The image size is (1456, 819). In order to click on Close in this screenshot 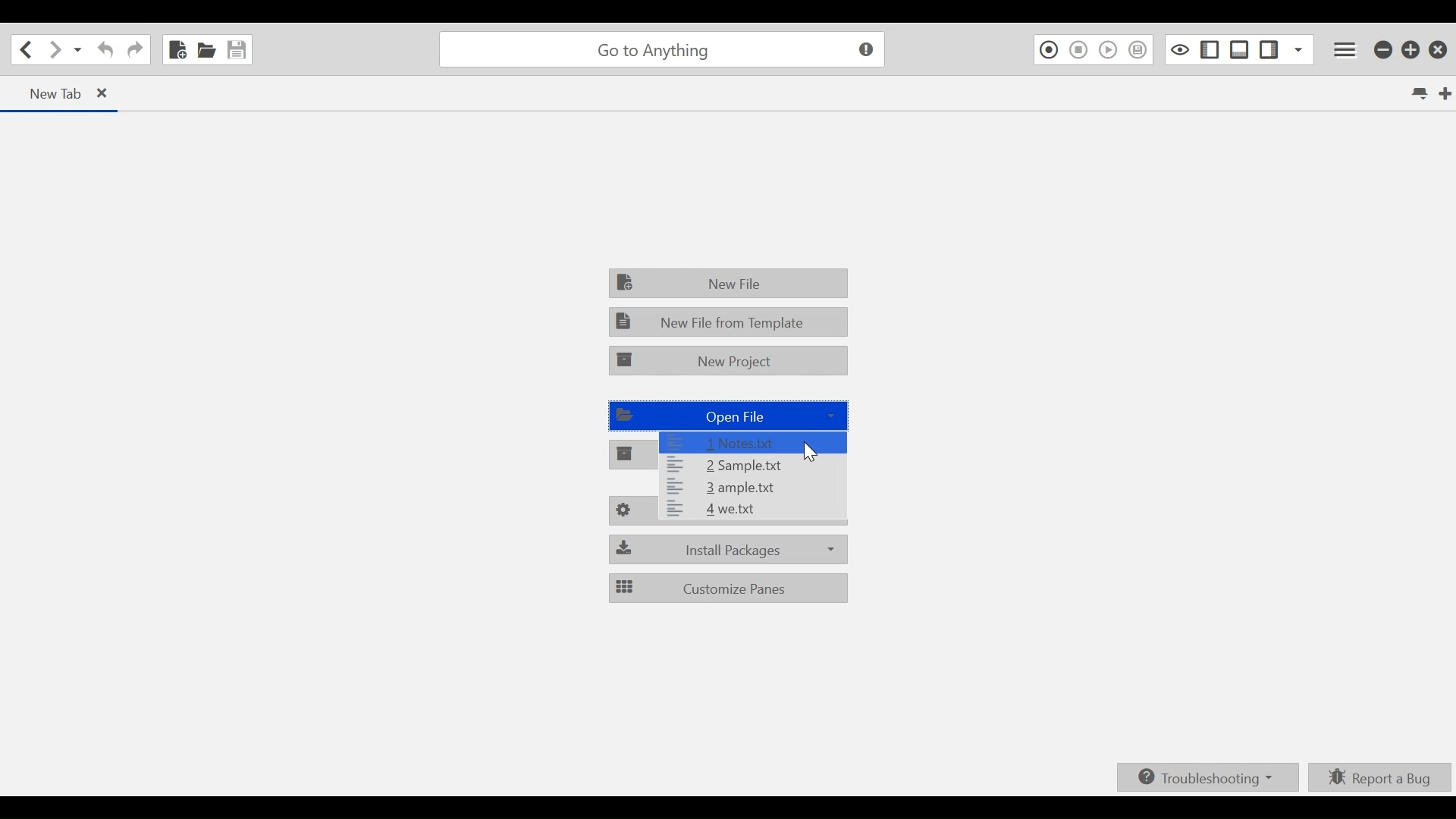, I will do `click(1439, 51)`.